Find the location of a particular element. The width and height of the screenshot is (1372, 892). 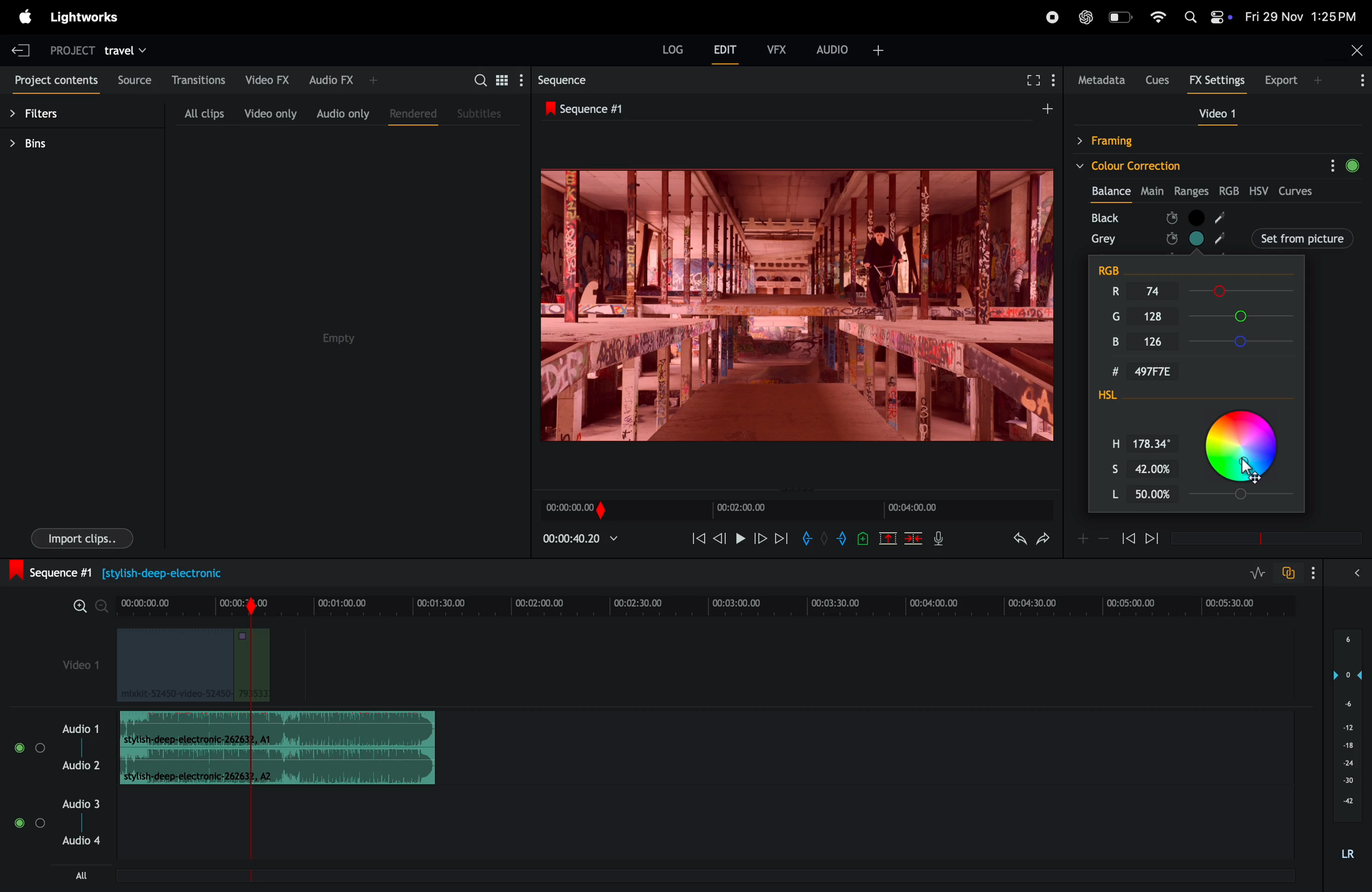

recorder is located at coordinates (1051, 18).